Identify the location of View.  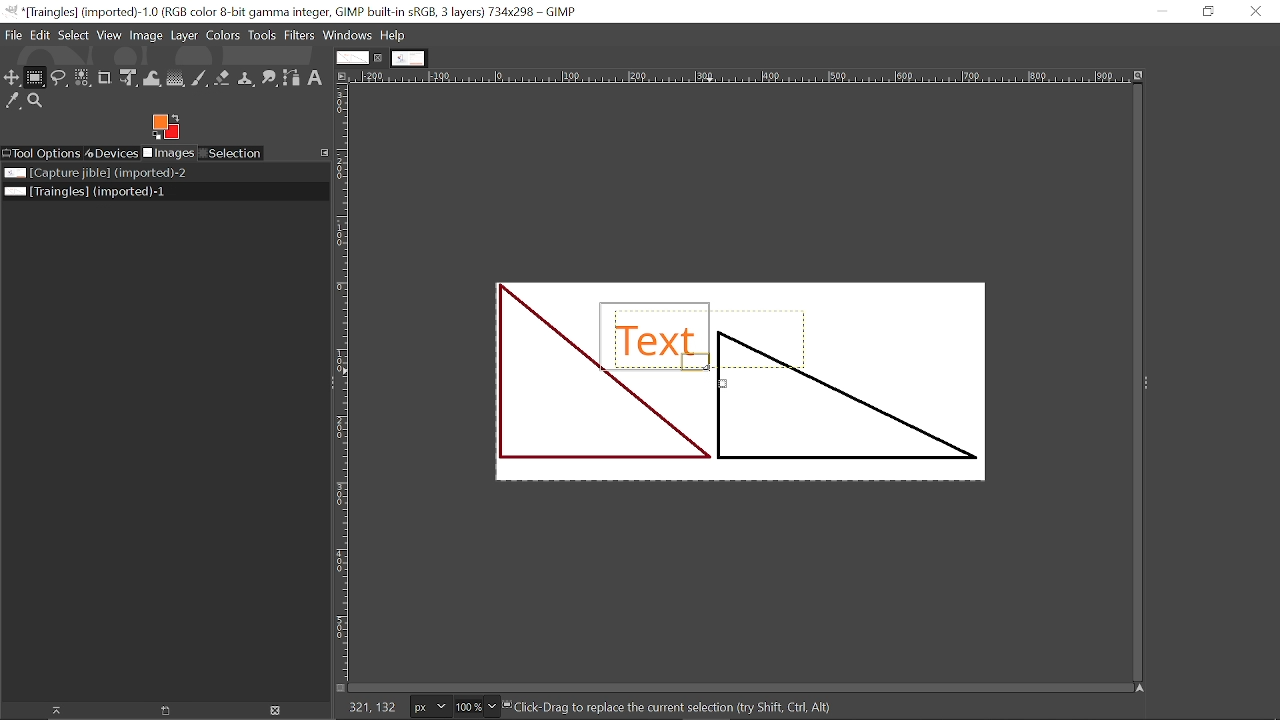
(110, 37).